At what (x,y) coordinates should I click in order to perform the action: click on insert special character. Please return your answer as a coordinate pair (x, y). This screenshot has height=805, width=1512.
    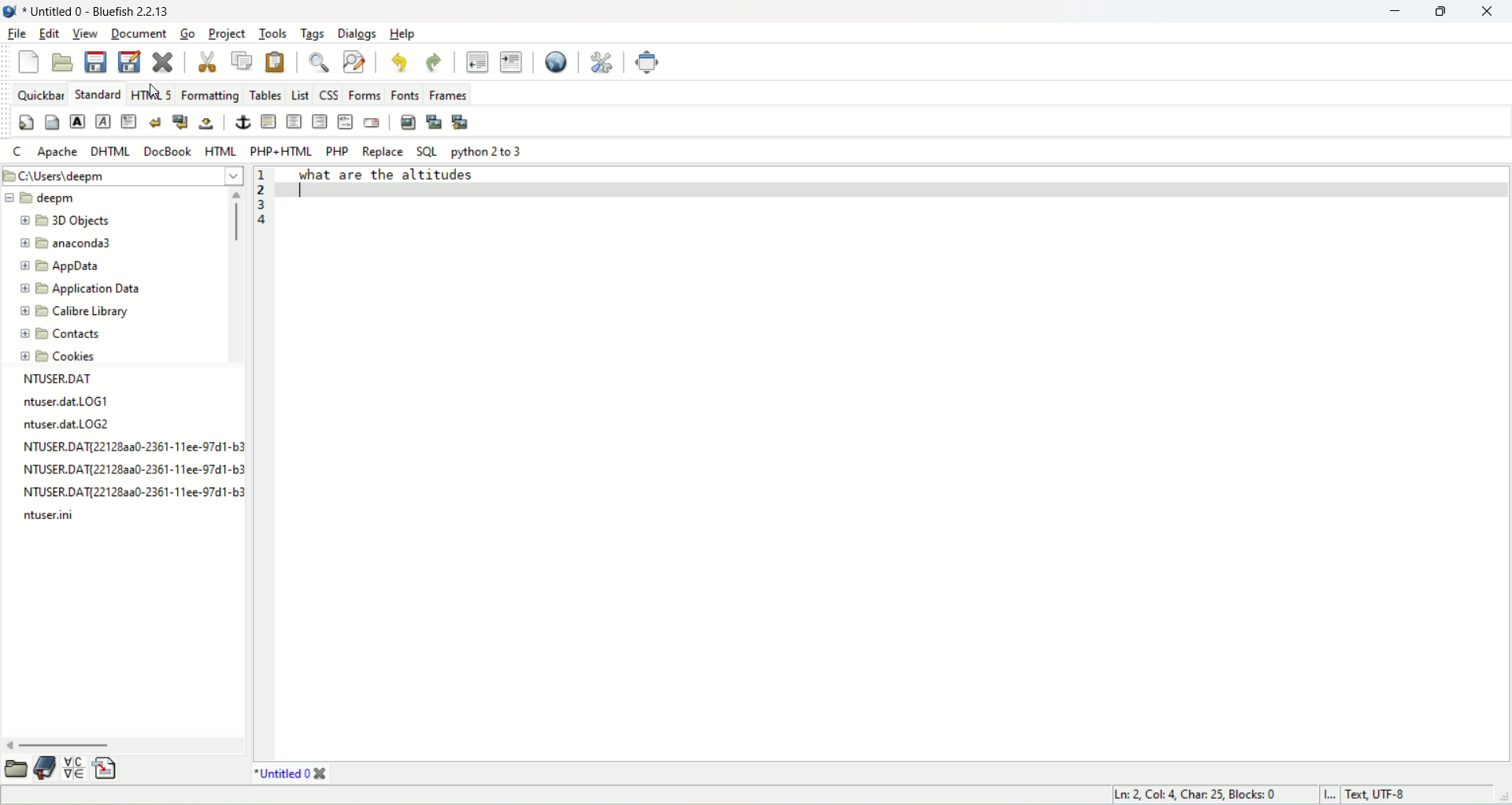
    Looking at the image, I should click on (77, 768).